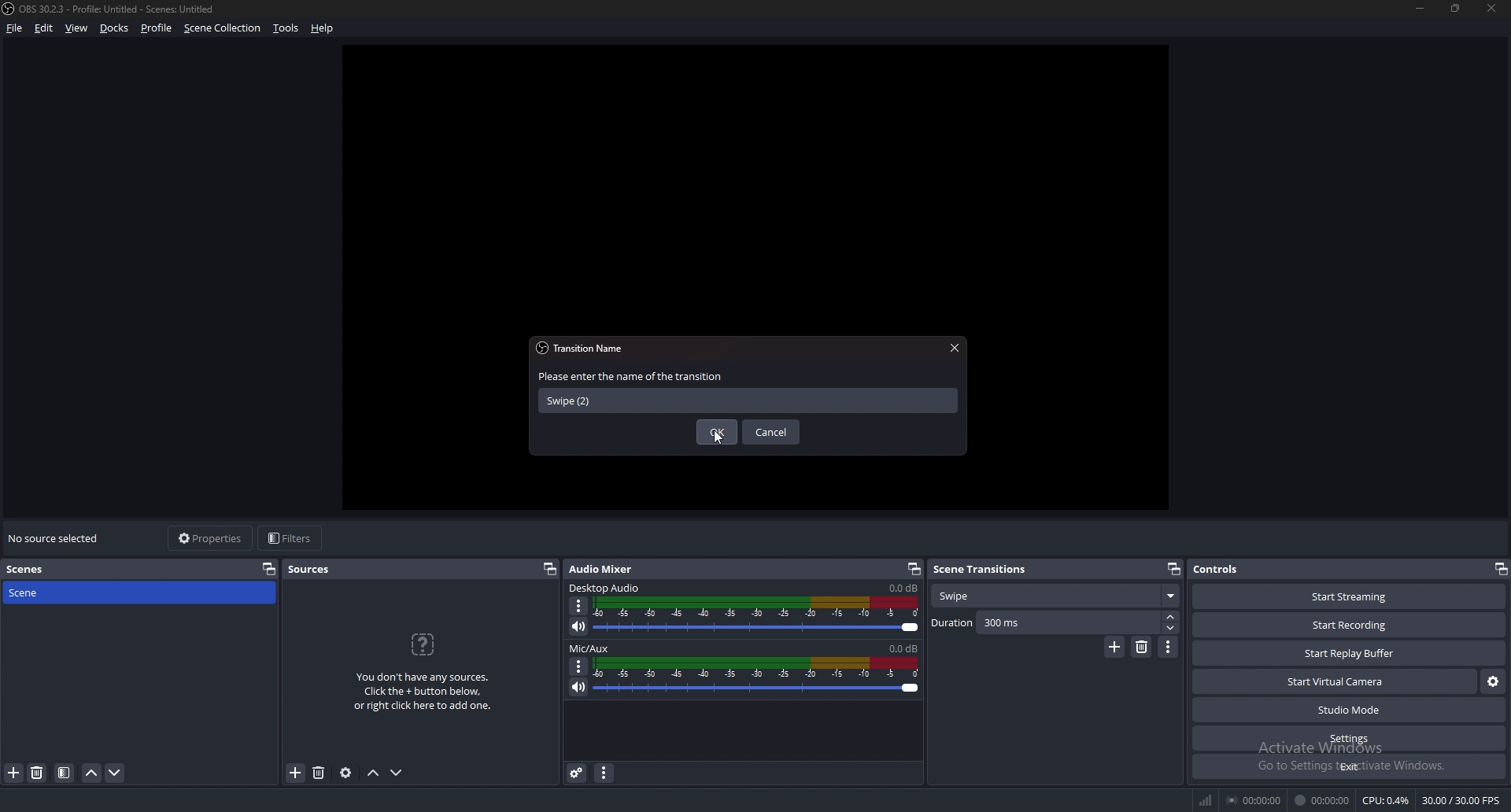 This screenshot has height=812, width=1511. I want to click on sources, so click(310, 570).